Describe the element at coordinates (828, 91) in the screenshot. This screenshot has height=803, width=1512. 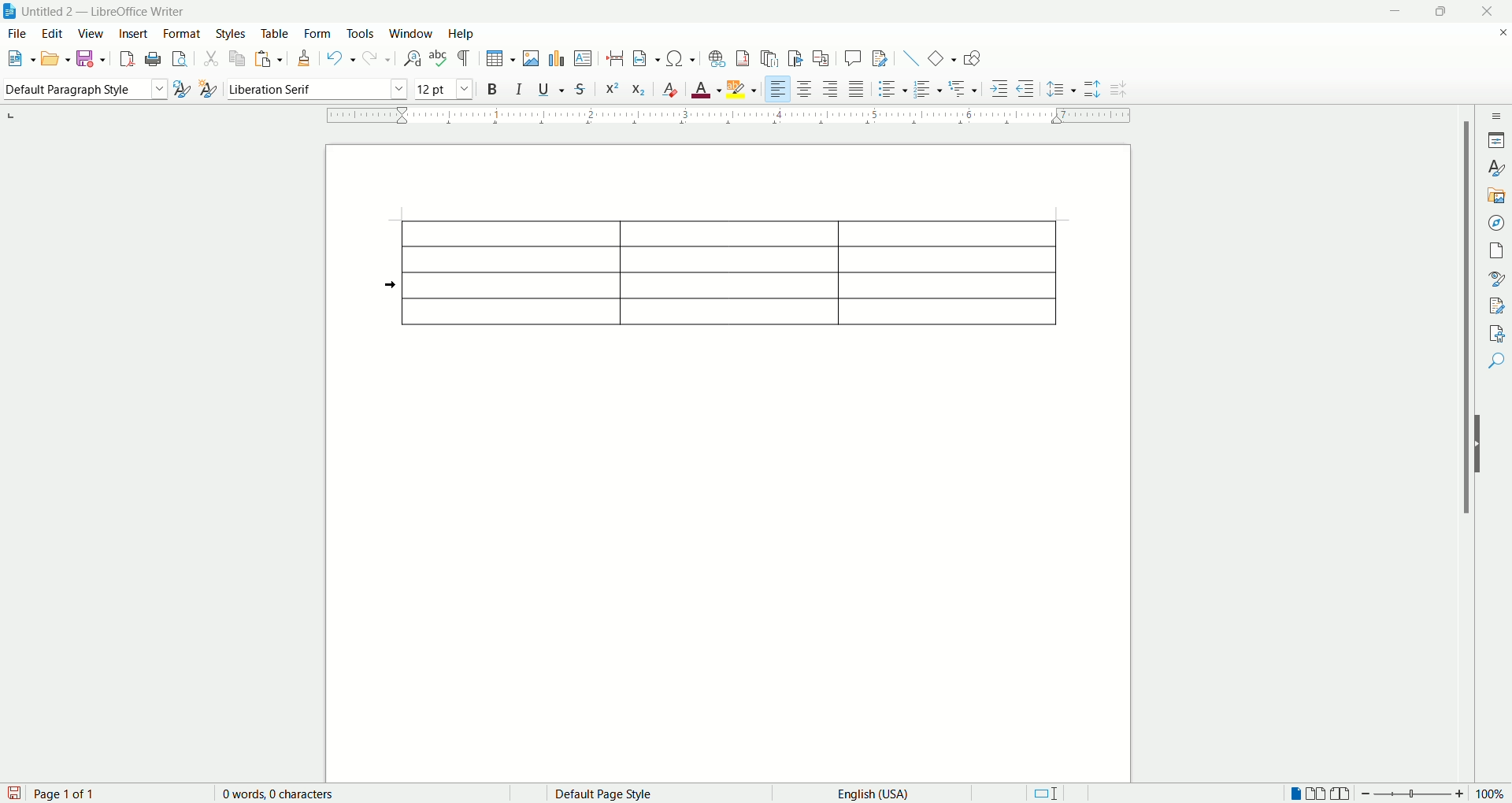
I see `align right` at that location.